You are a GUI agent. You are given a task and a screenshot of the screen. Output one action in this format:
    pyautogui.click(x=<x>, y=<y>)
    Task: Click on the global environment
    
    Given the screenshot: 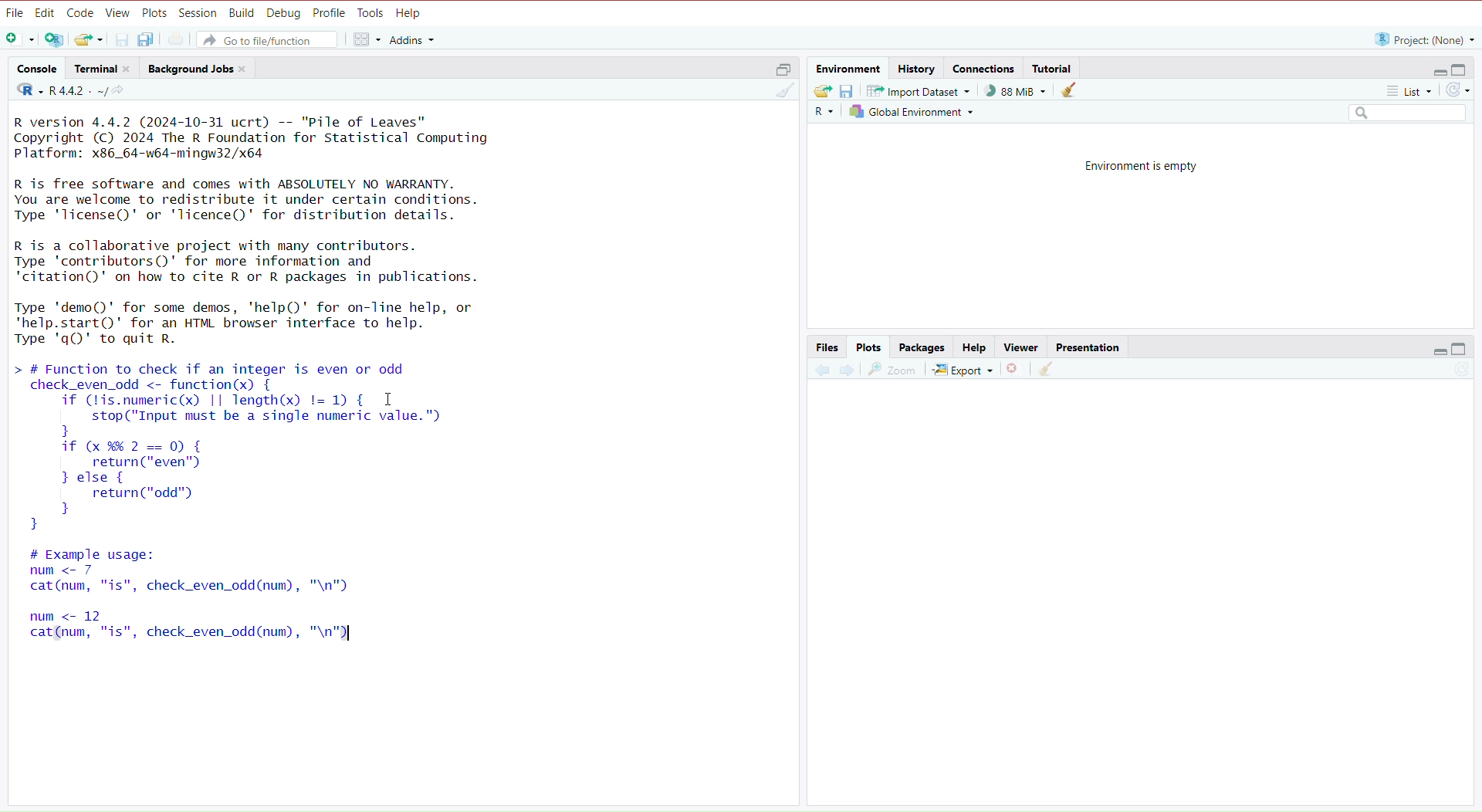 What is the action you would take?
    pyautogui.click(x=911, y=111)
    